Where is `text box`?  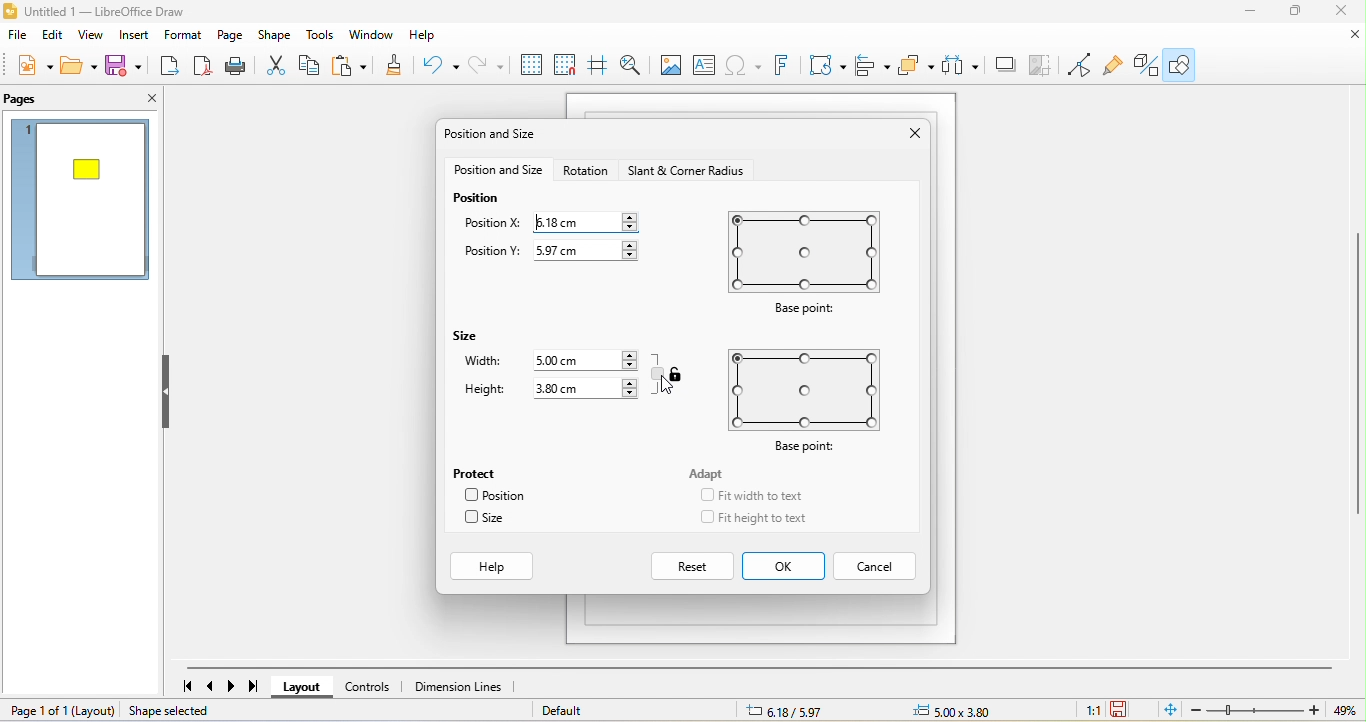 text box is located at coordinates (706, 64).